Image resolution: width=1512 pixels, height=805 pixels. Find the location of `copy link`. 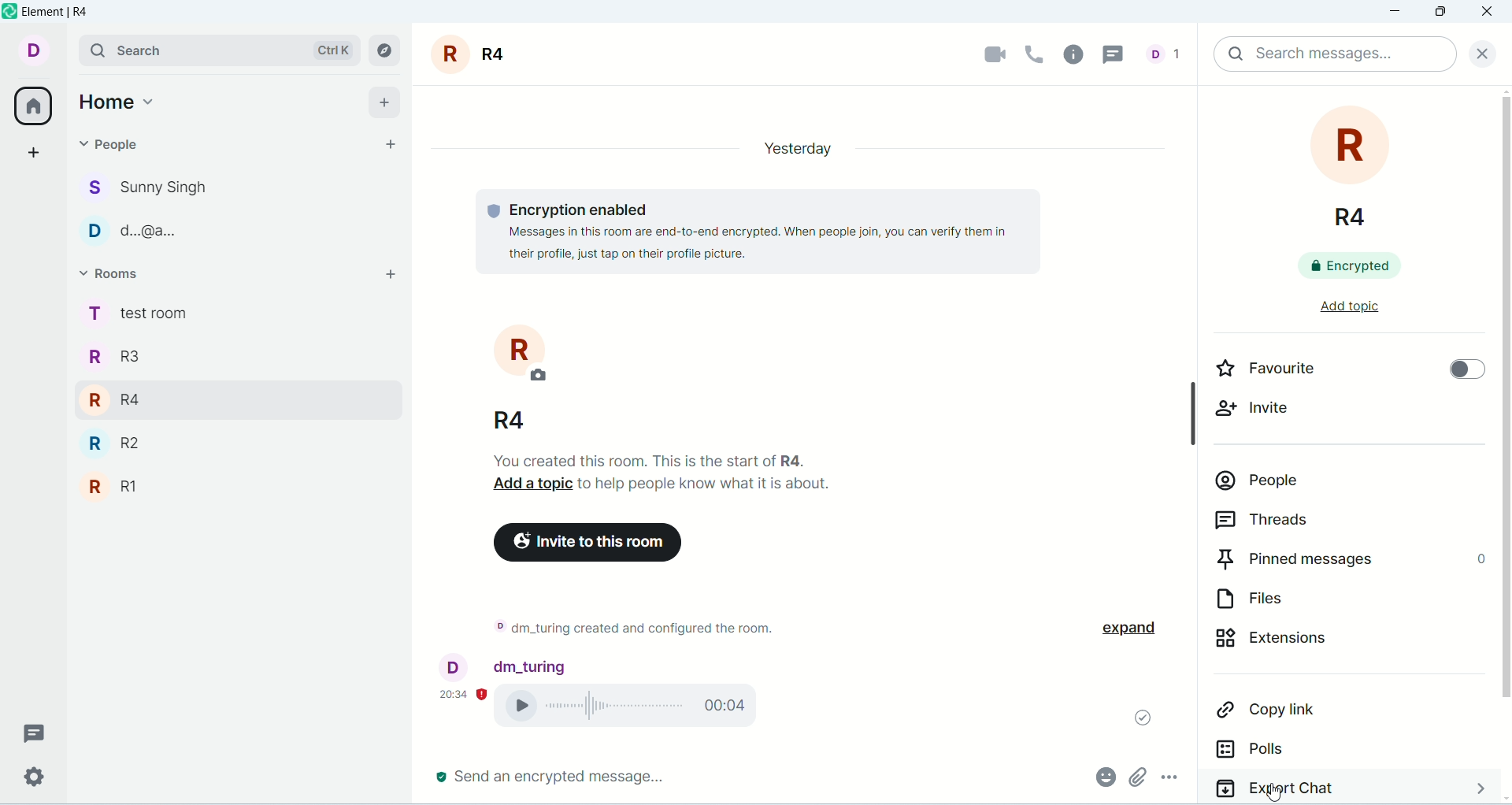

copy link is located at coordinates (1315, 711).